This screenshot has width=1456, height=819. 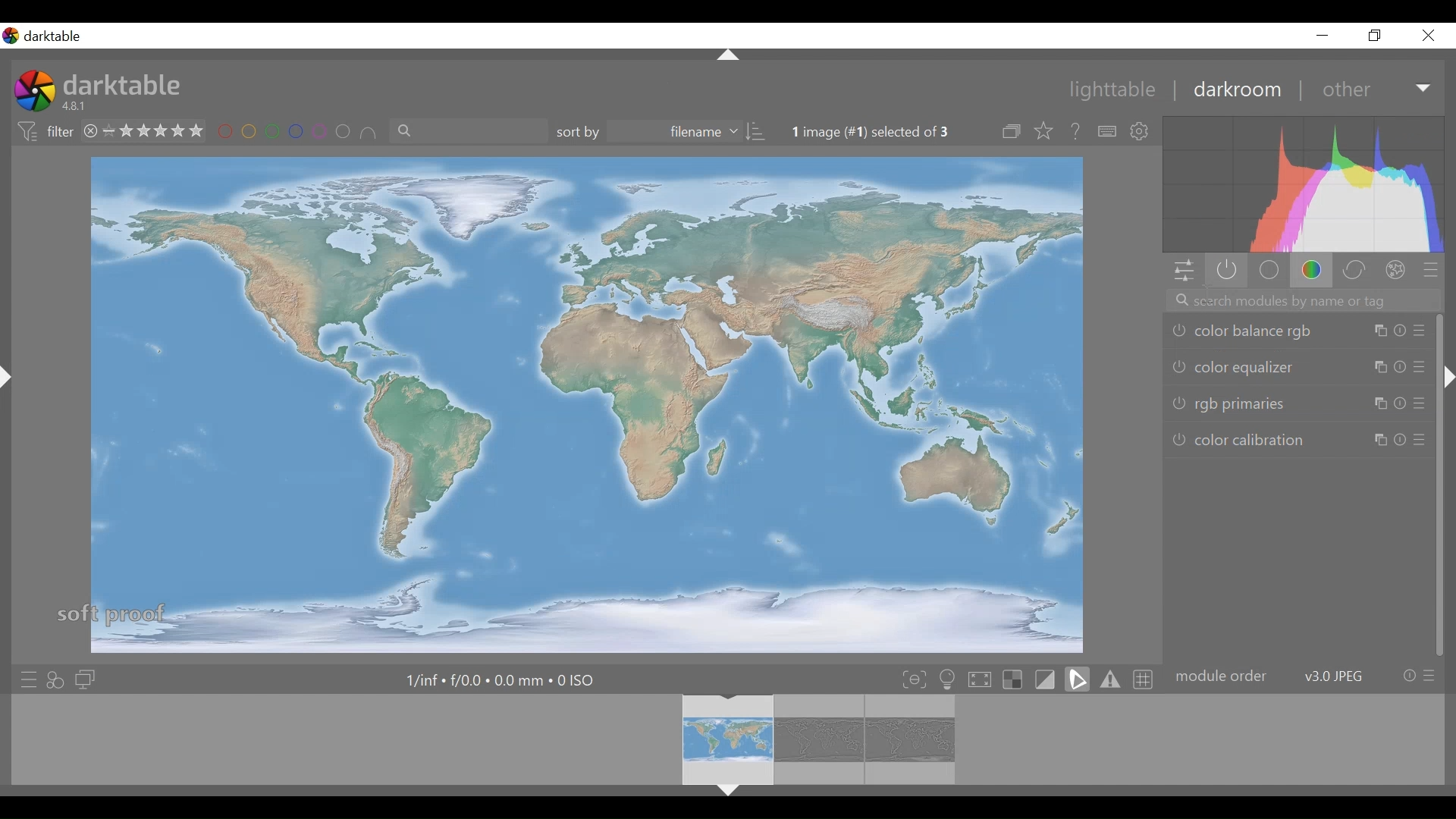 I want to click on , so click(x=1447, y=388).